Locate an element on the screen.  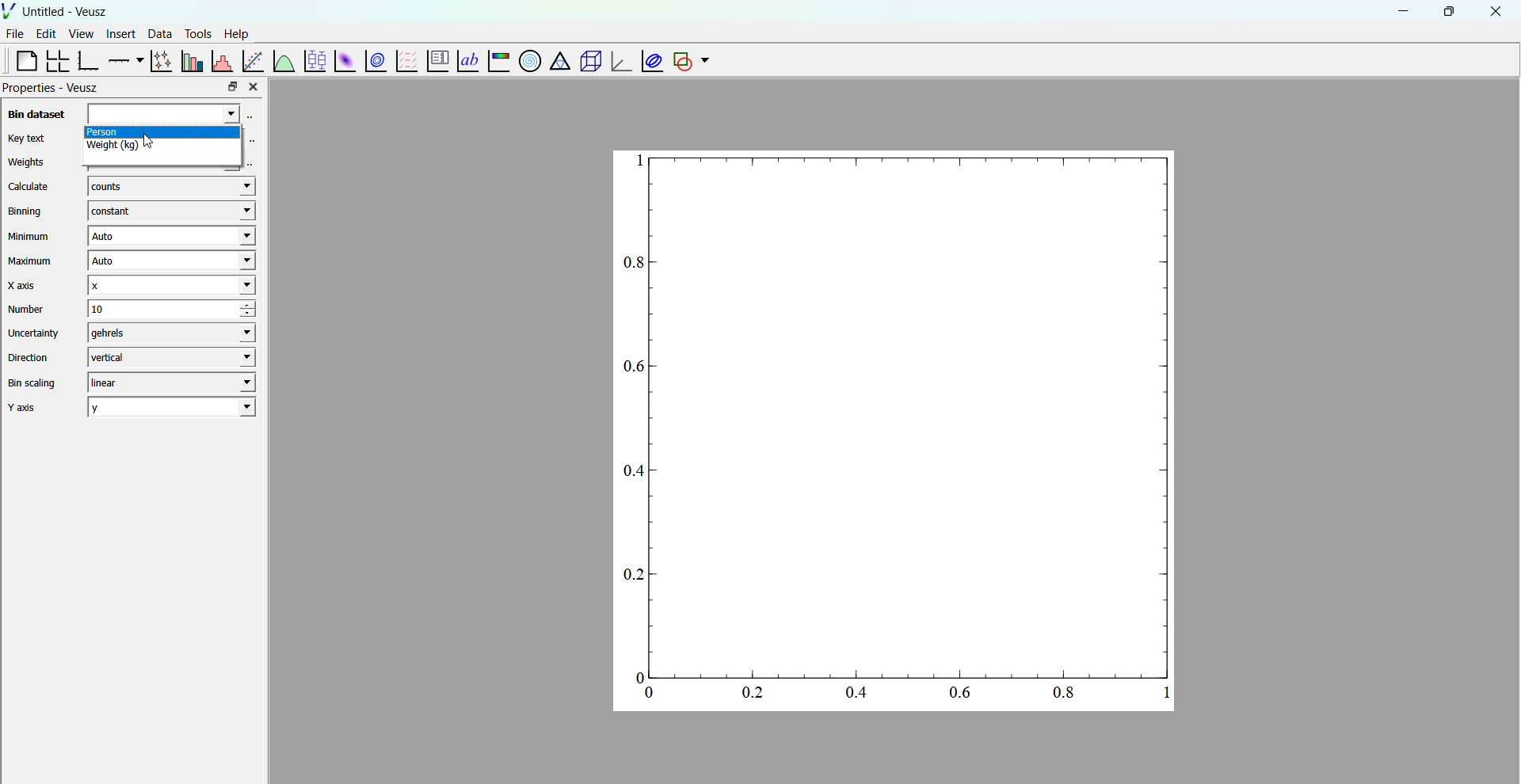
close is located at coordinates (1496, 12).